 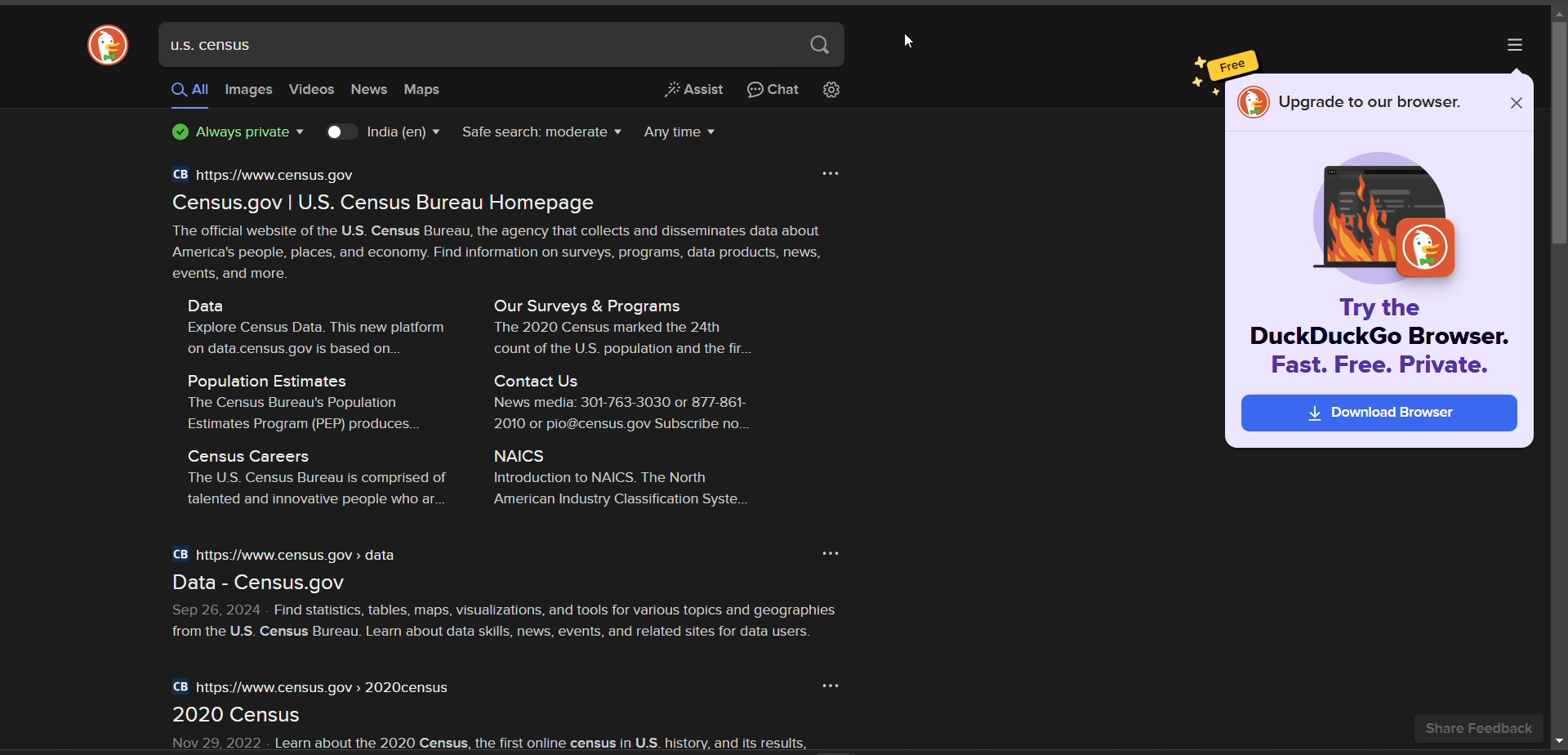 What do you see at coordinates (1518, 42) in the screenshot?
I see `menu ` at bounding box center [1518, 42].